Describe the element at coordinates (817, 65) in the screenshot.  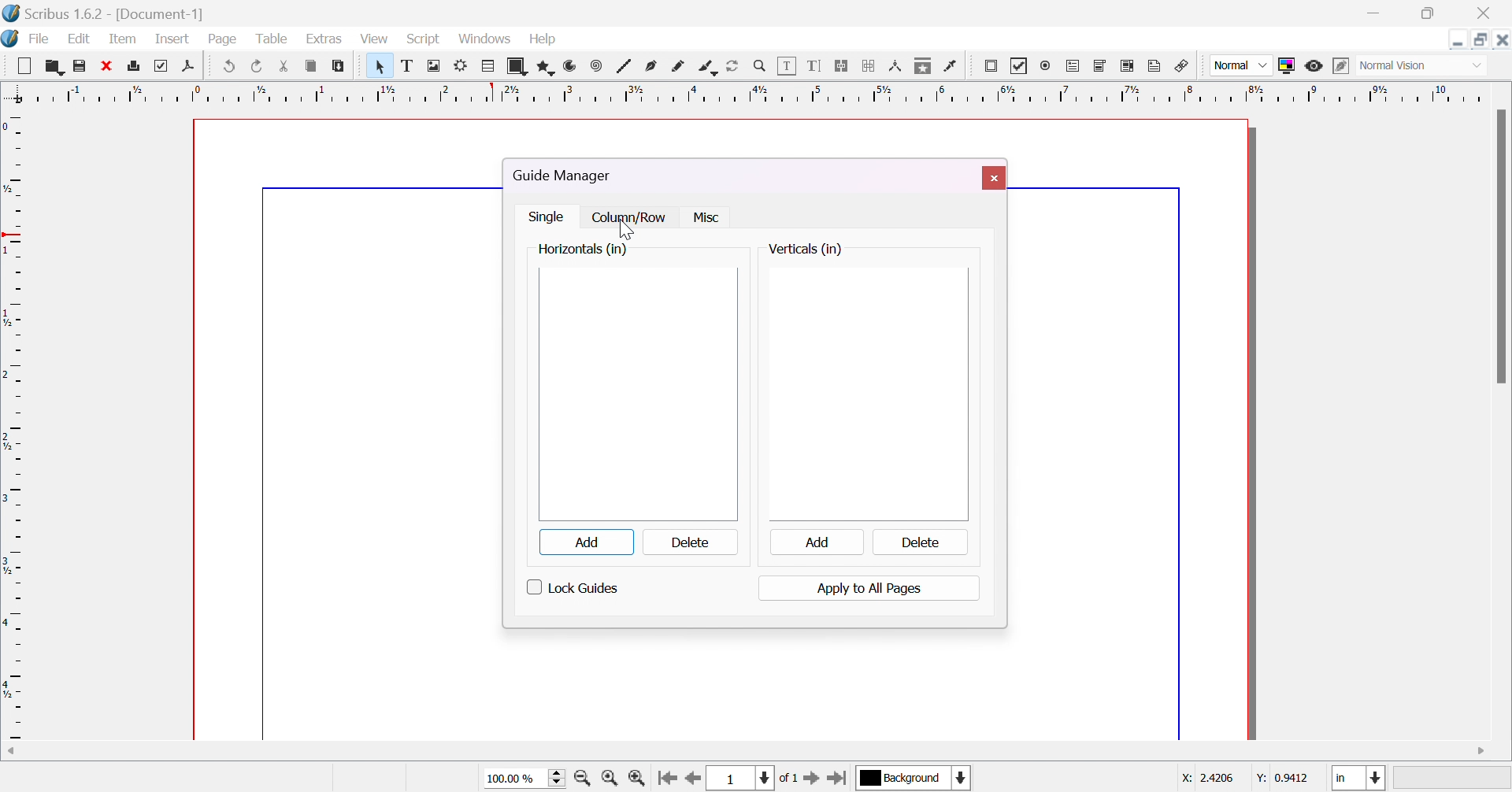
I see `edit text with story editor` at that location.